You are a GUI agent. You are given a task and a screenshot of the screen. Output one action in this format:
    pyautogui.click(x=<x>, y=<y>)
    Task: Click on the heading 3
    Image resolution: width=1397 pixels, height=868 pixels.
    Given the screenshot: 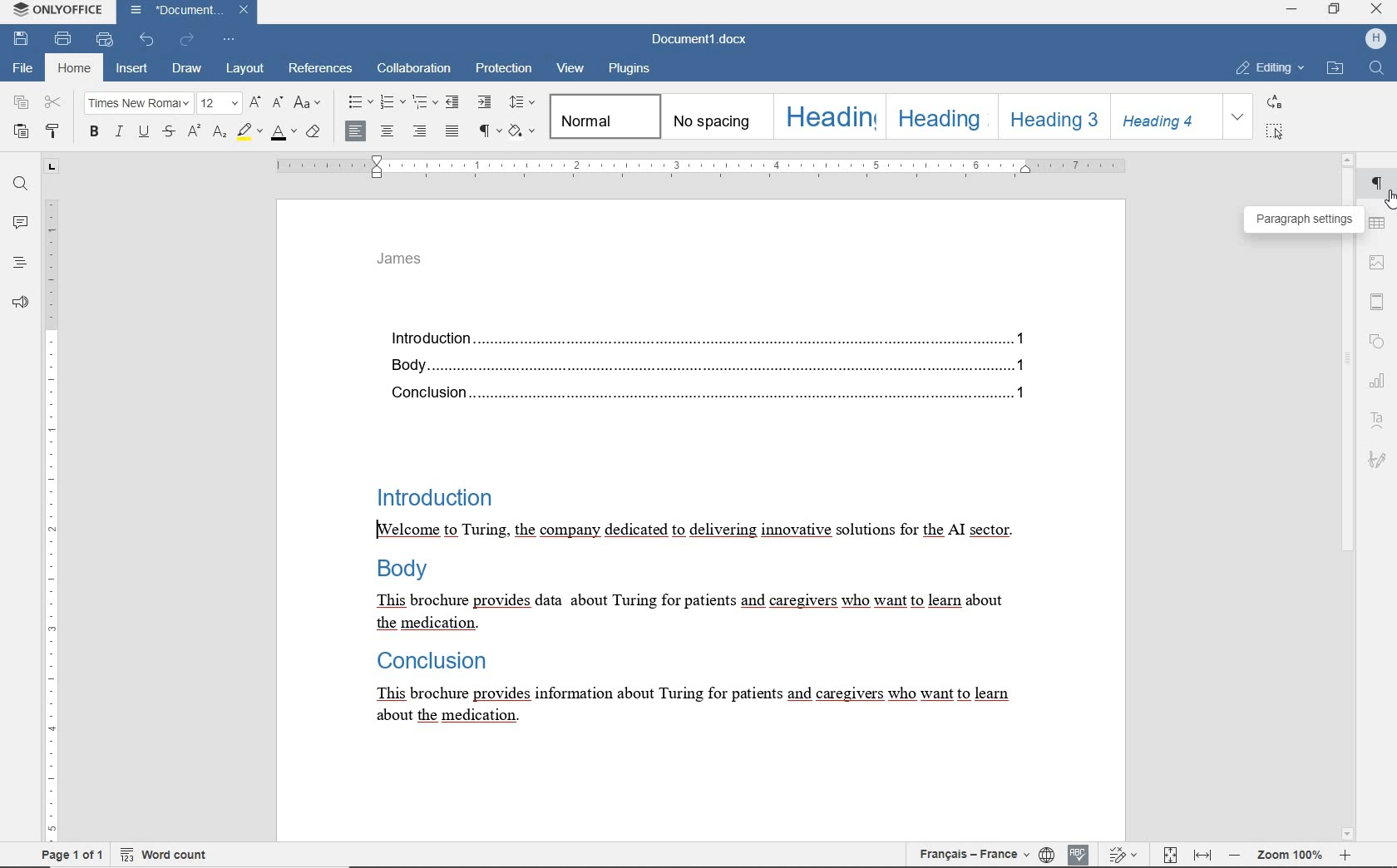 What is the action you would take?
    pyautogui.click(x=1049, y=117)
    